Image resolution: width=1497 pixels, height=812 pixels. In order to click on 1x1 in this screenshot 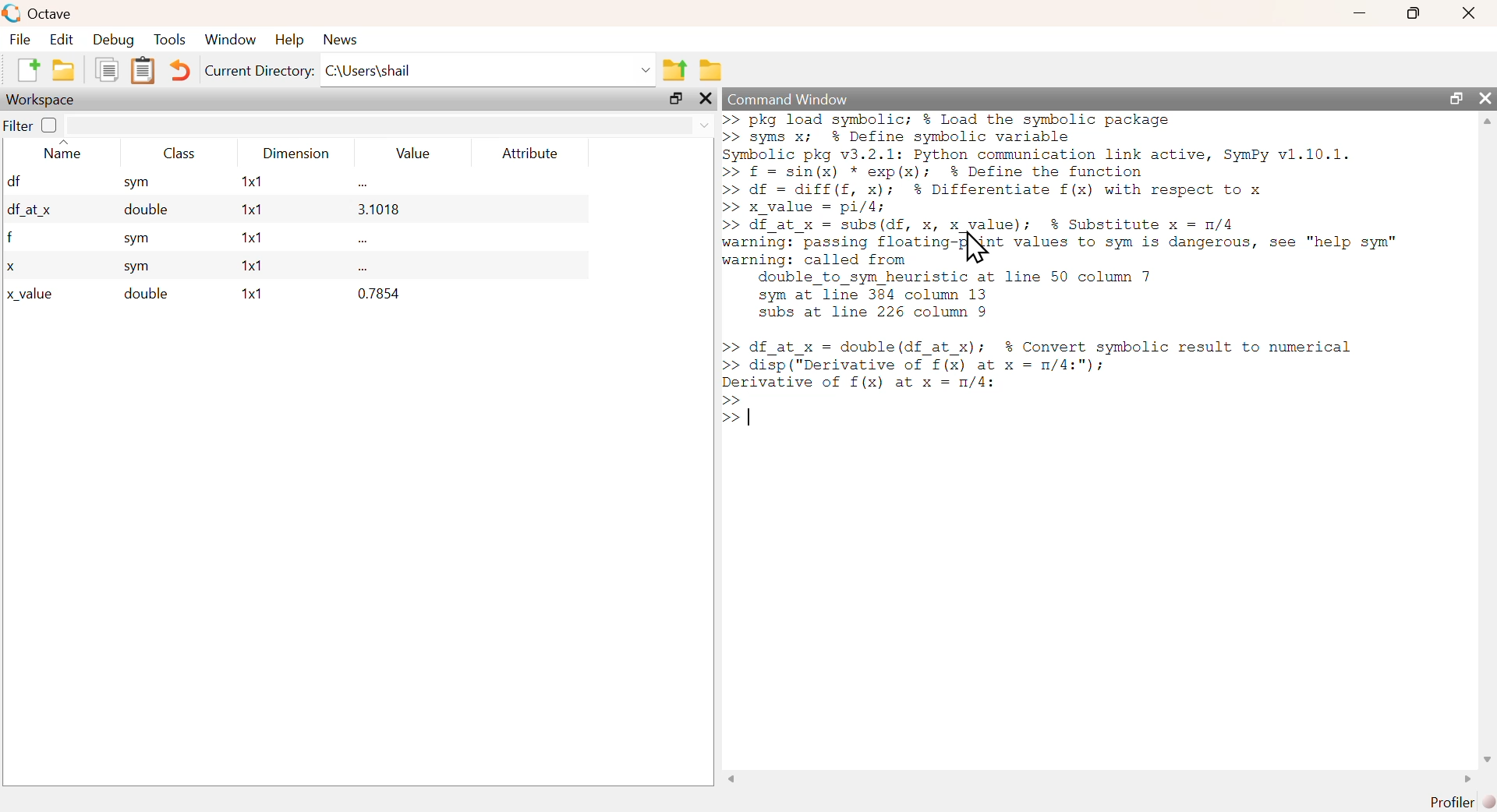, I will do `click(253, 210)`.